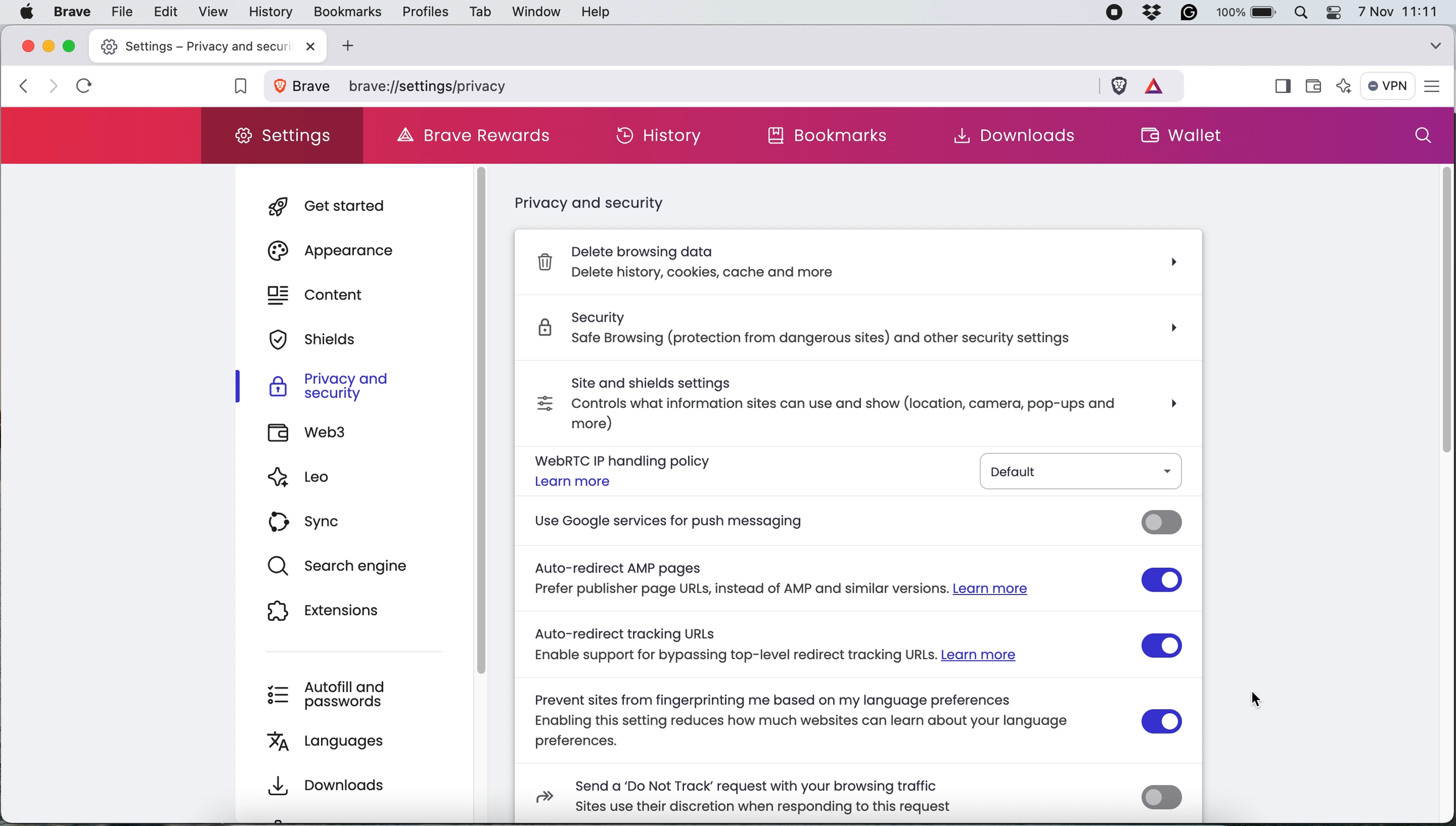 Image resolution: width=1456 pixels, height=826 pixels. Describe the element at coordinates (830, 579) in the screenshot. I see `Auto-redirect AMP pages
Prefer publisher page URLs, instead of AMP and similar versions. Learn more` at that location.